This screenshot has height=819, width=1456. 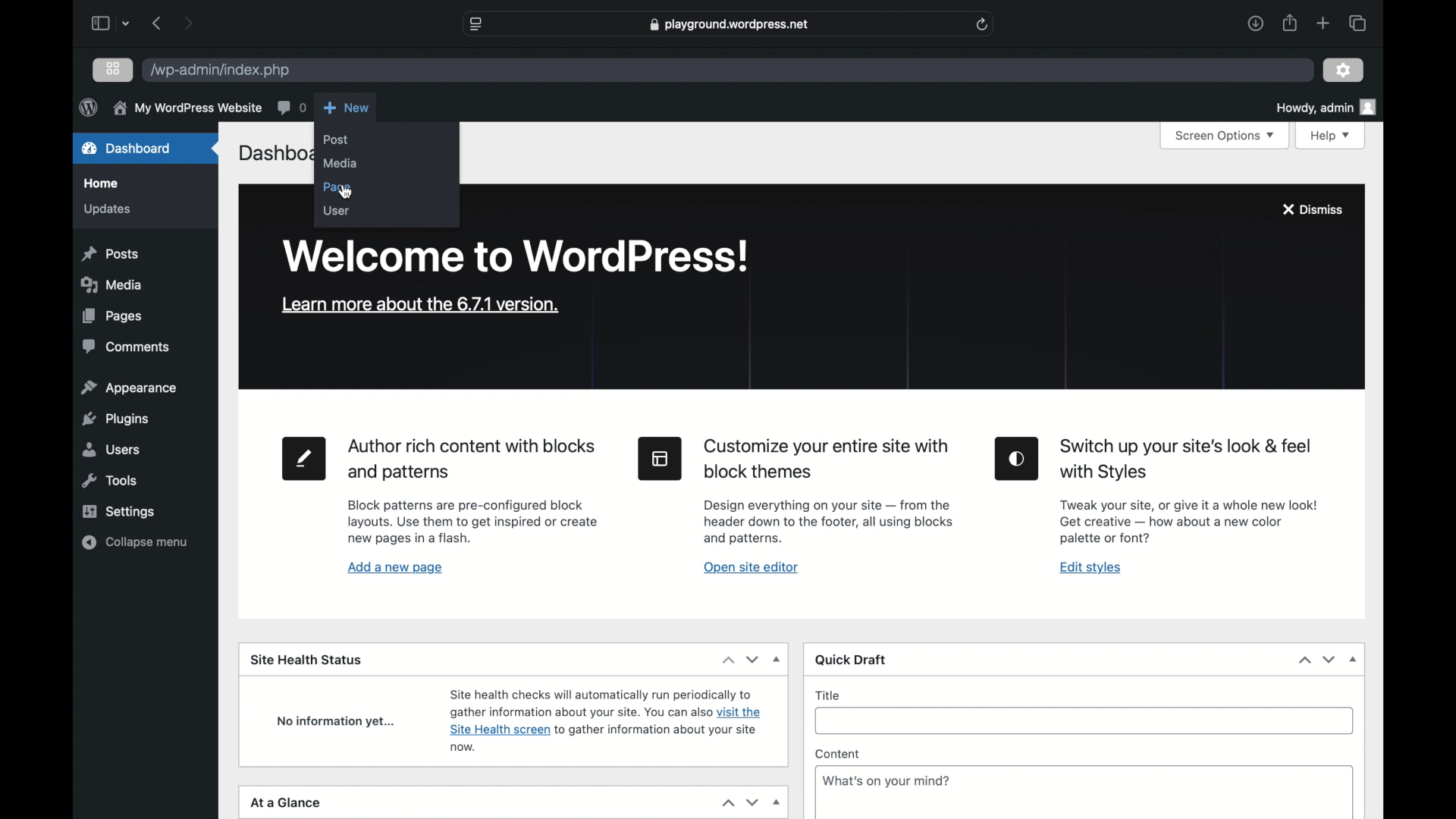 What do you see at coordinates (118, 512) in the screenshot?
I see `settings` at bounding box center [118, 512].